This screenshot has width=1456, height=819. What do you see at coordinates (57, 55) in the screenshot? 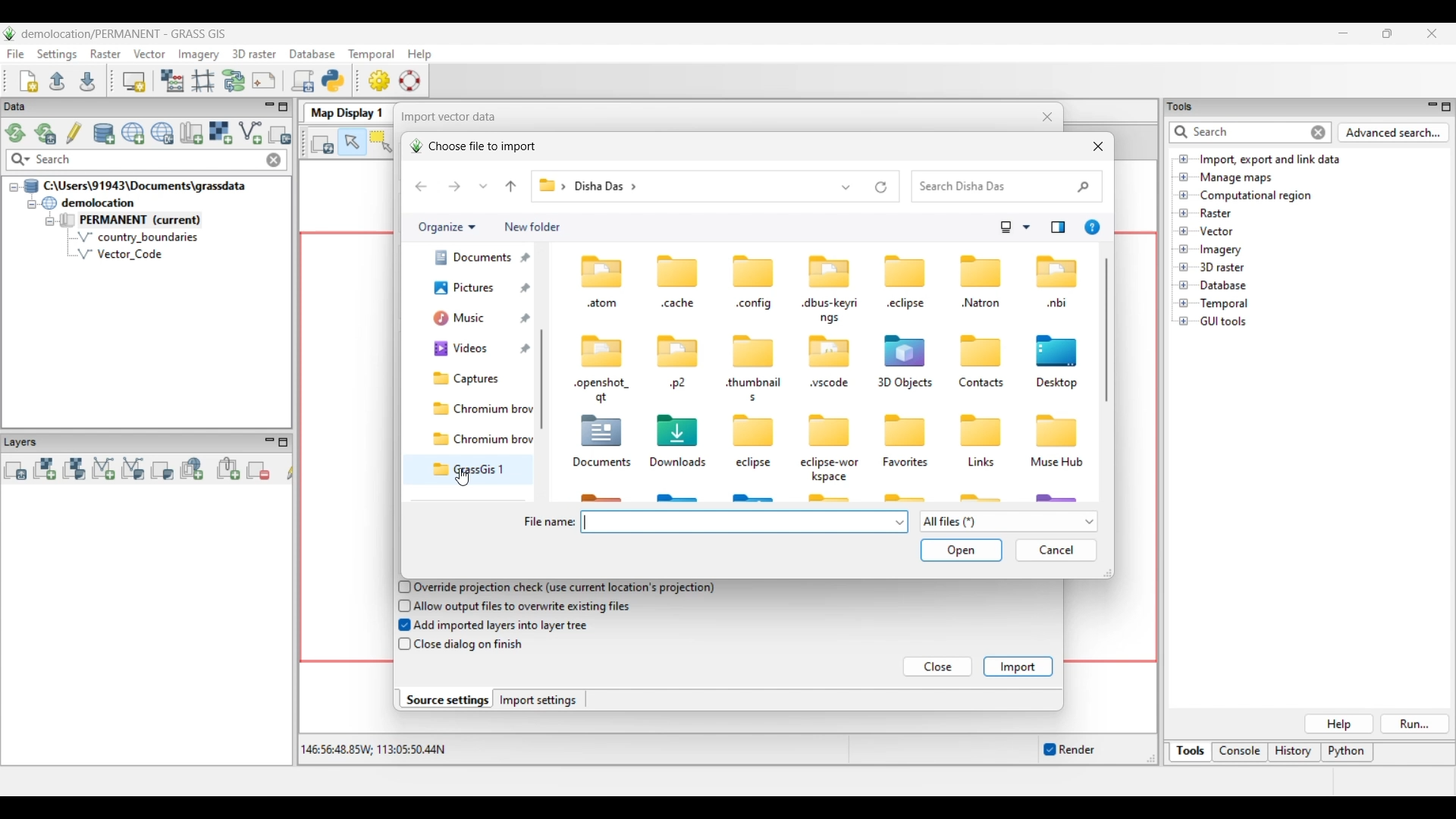
I see `Settings menu` at bounding box center [57, 55].